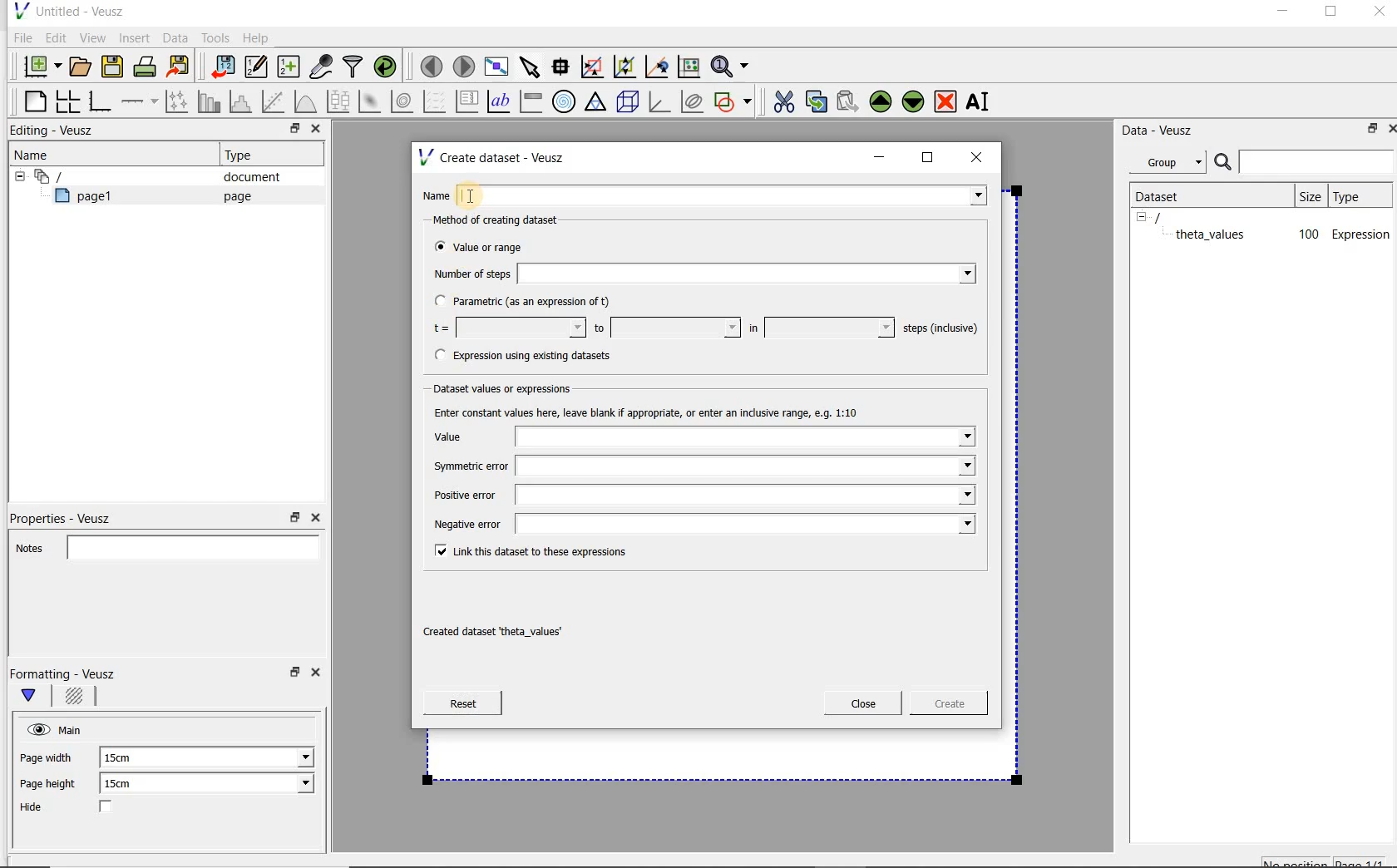 This screenshot has height=868, width=1397. What do you see at coordinates (1309, 194) in the screenshot?
I see `size` at bounding box center [1309, 194].